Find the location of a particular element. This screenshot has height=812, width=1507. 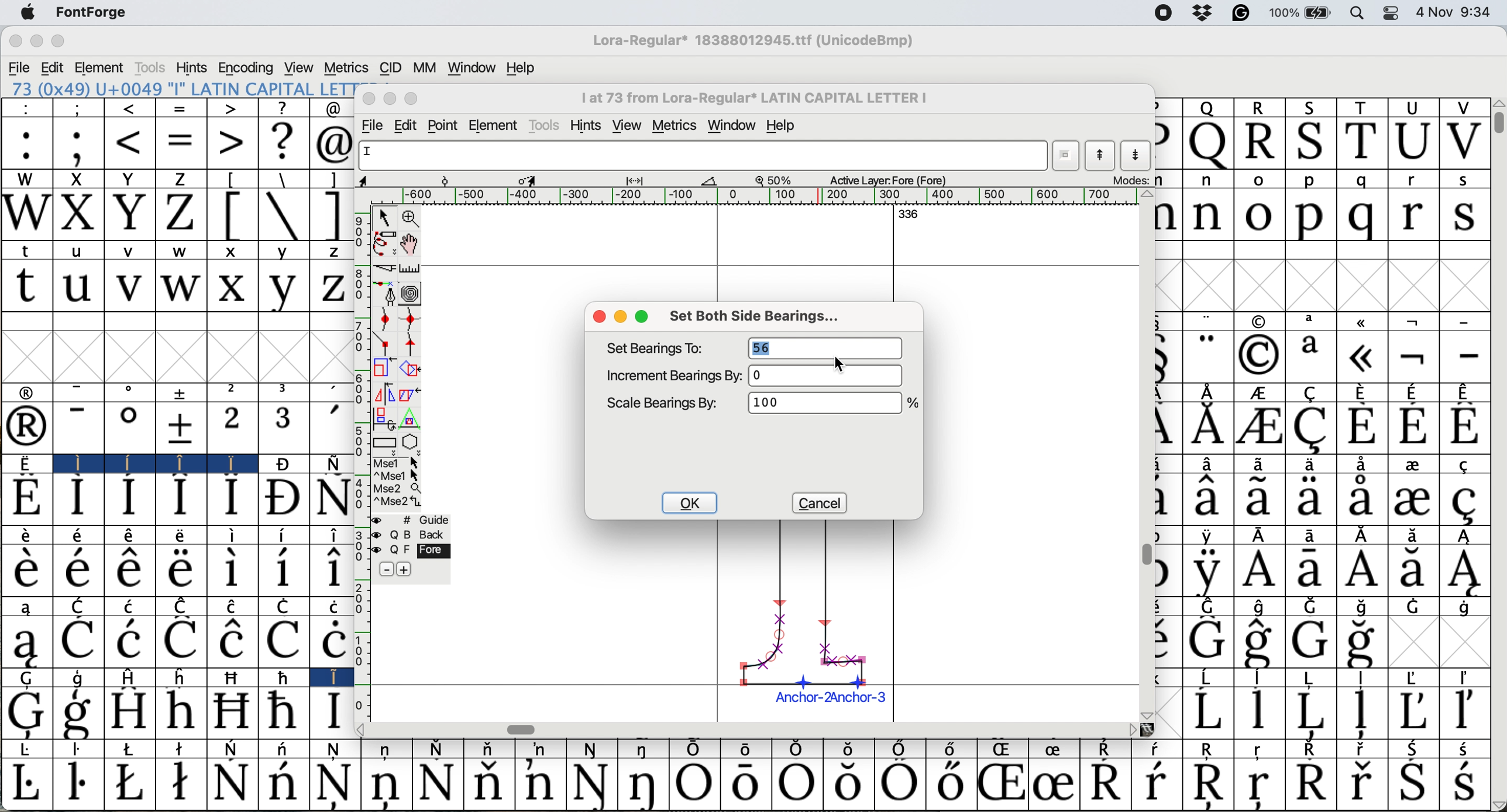

Symbol is located at coordinates (333, 535).